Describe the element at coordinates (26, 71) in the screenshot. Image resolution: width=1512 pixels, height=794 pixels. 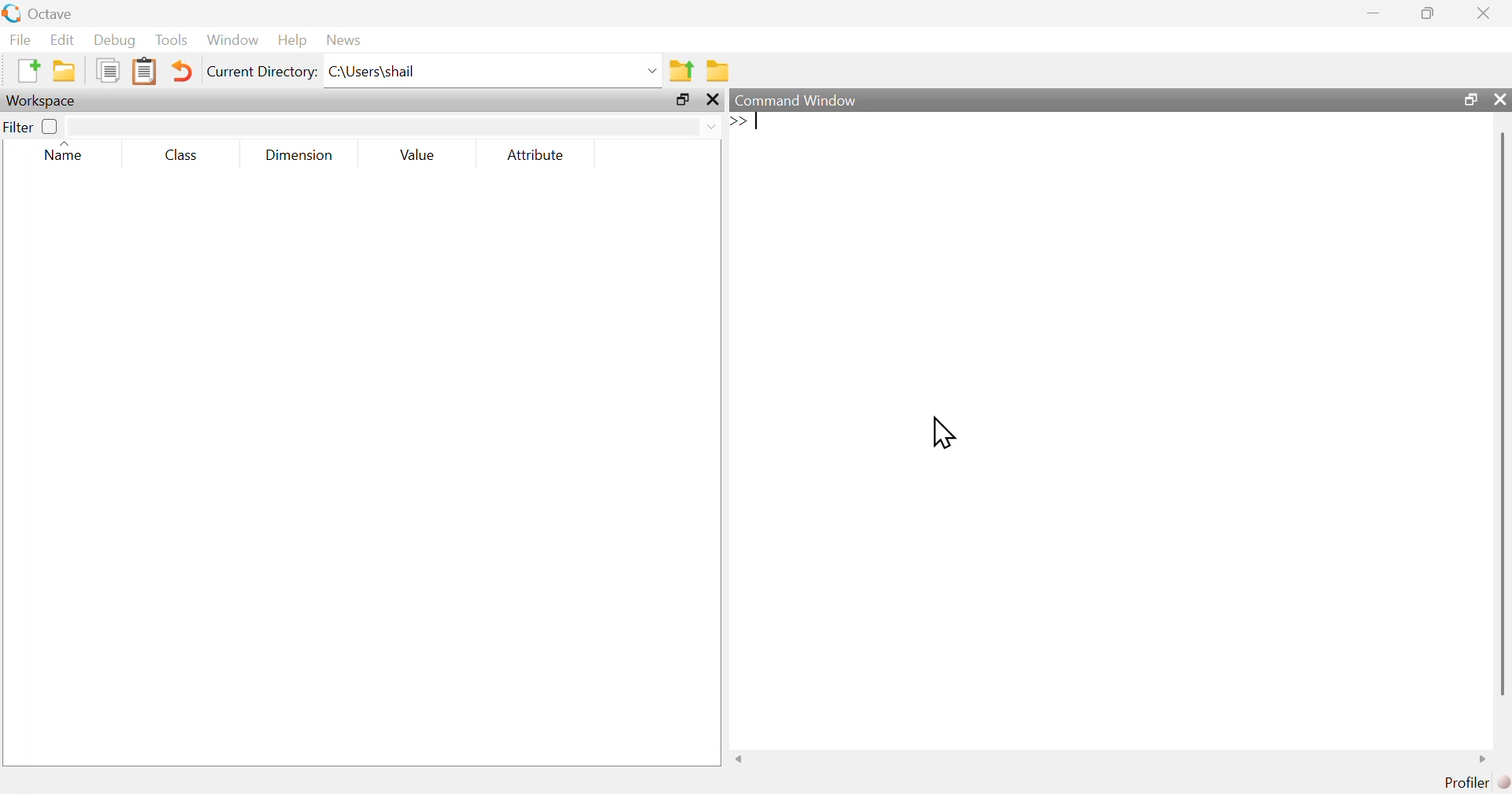
I see `New file` at that location.